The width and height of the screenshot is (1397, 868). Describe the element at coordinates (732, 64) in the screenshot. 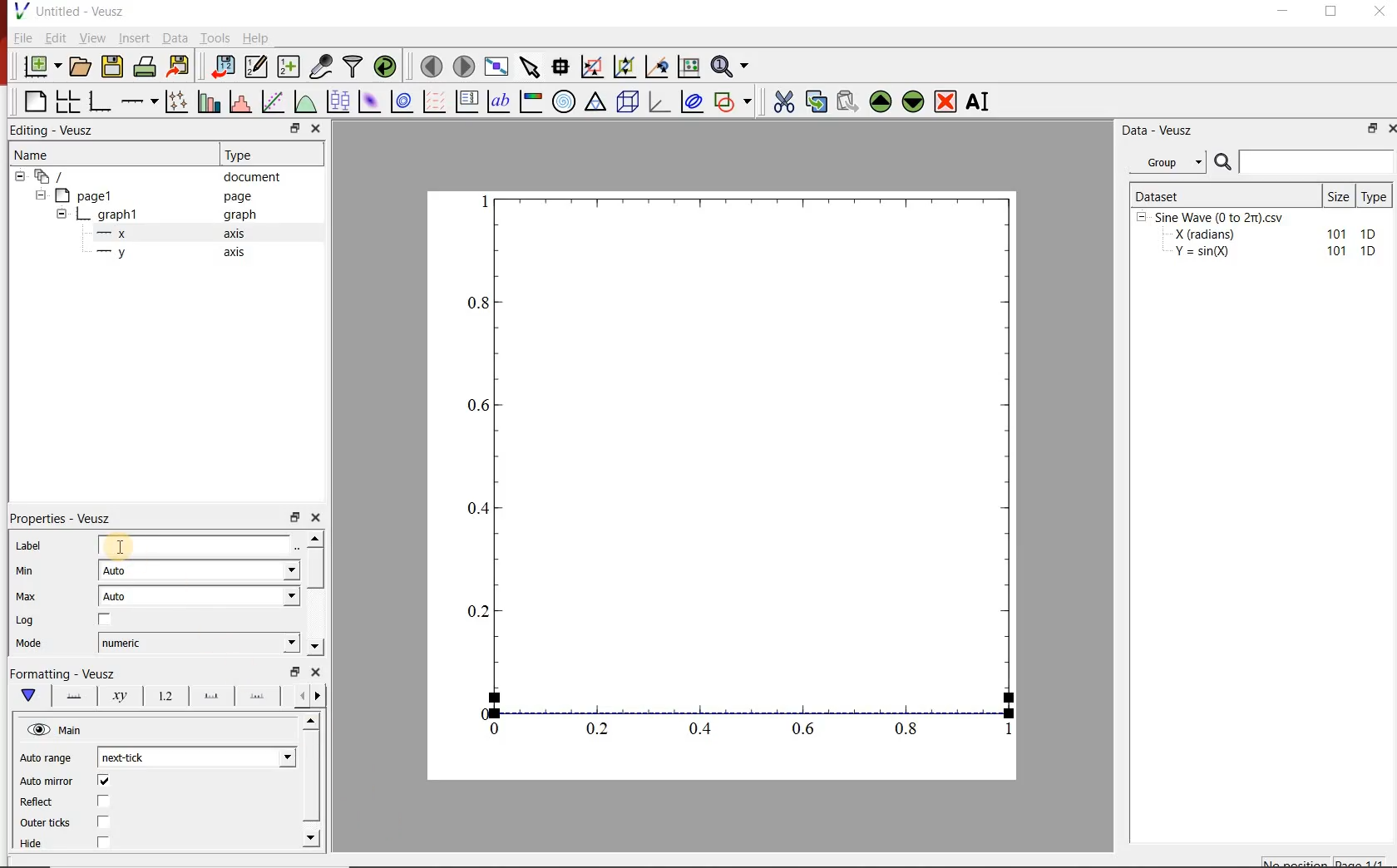

I see `zoom functions menu` at that location.